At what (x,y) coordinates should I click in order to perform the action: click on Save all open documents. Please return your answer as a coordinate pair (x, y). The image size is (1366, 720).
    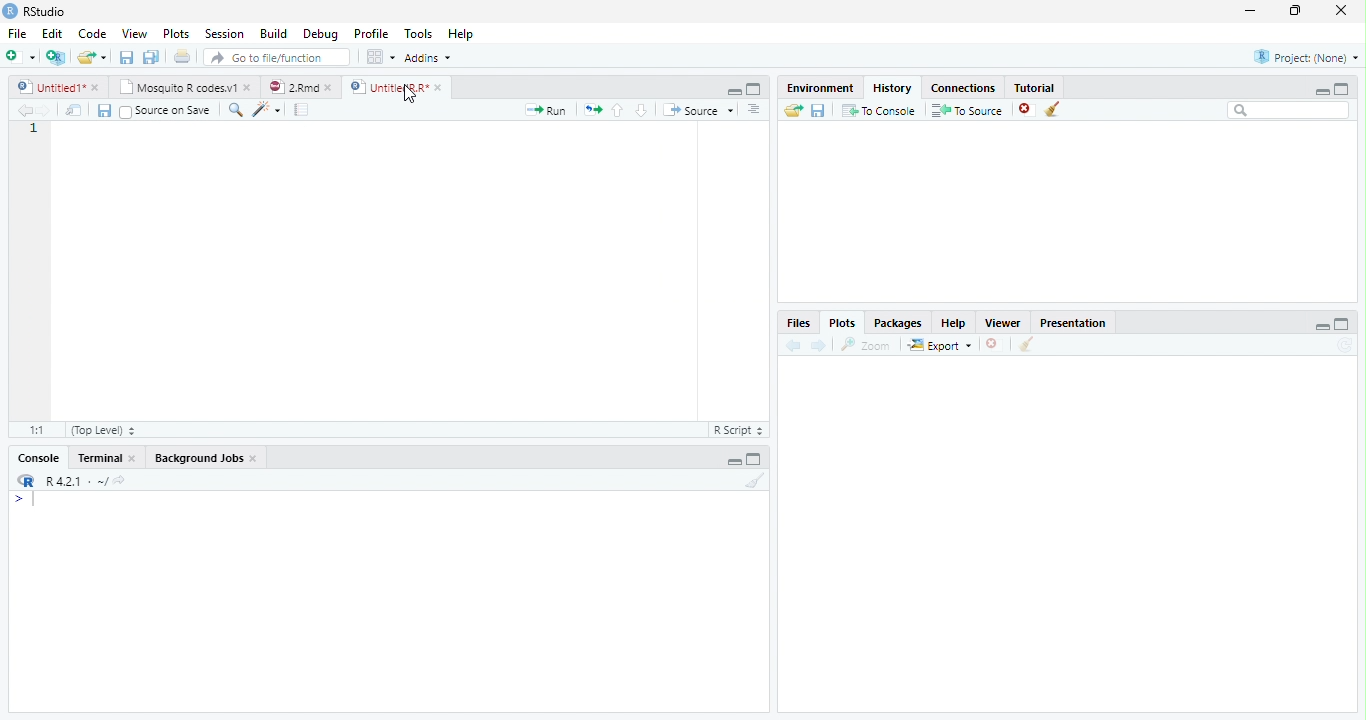
    Looking at the image, I should click on (151, 56).